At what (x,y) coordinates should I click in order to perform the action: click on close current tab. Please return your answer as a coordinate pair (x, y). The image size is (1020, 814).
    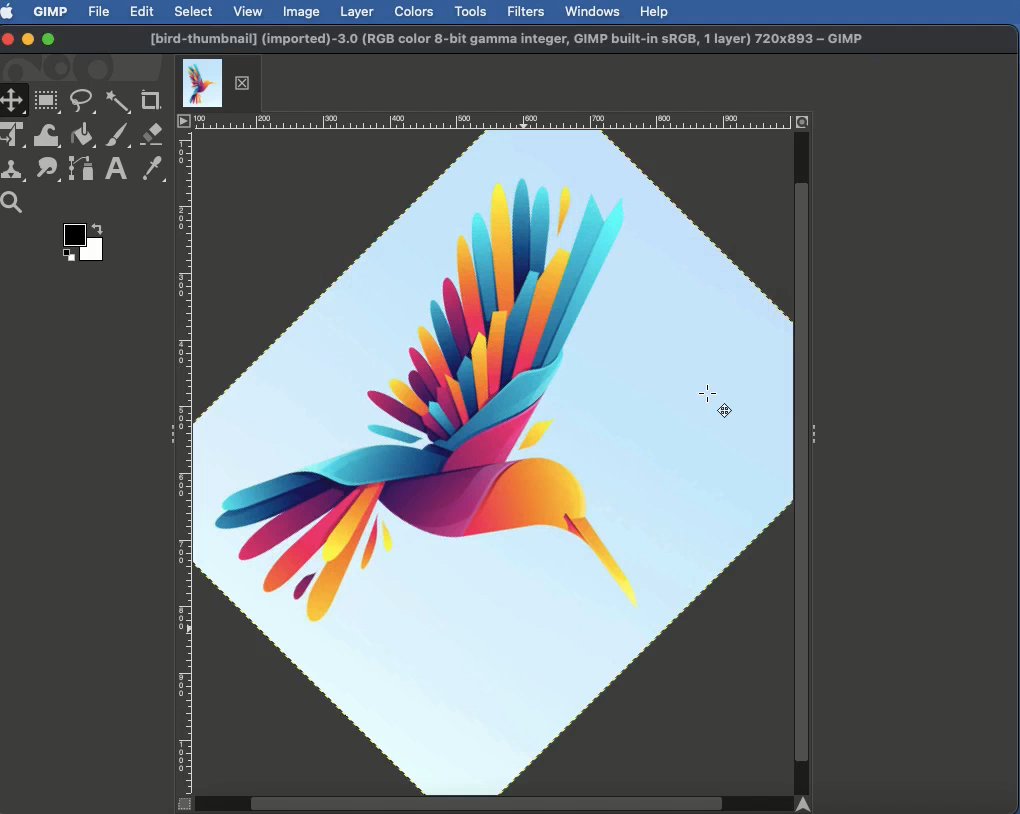
    Looking at the image, I should click on (247, 83).